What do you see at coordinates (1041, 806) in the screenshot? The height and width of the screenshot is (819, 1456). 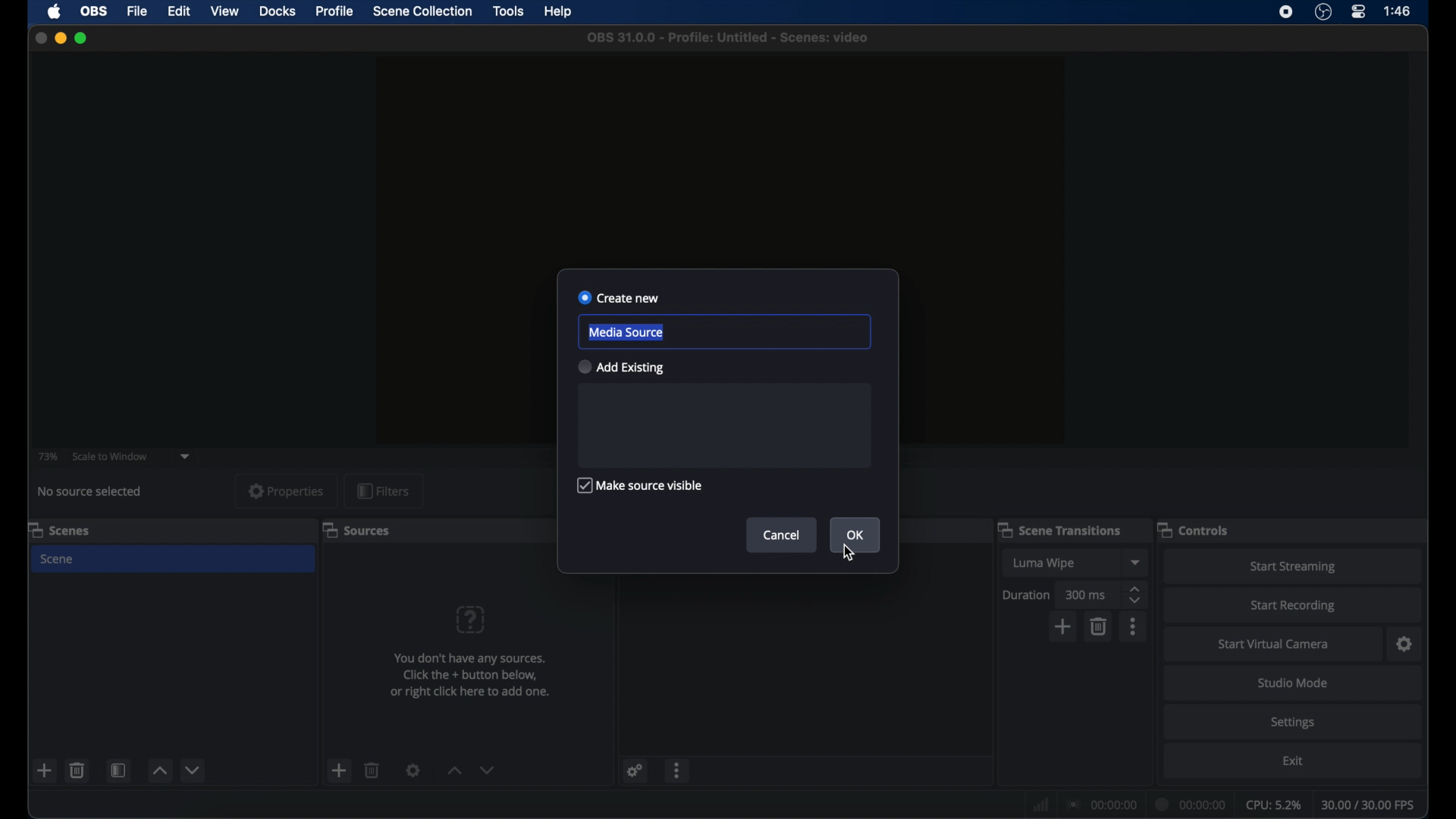 I see `network` at bounding box center [1041, 806].